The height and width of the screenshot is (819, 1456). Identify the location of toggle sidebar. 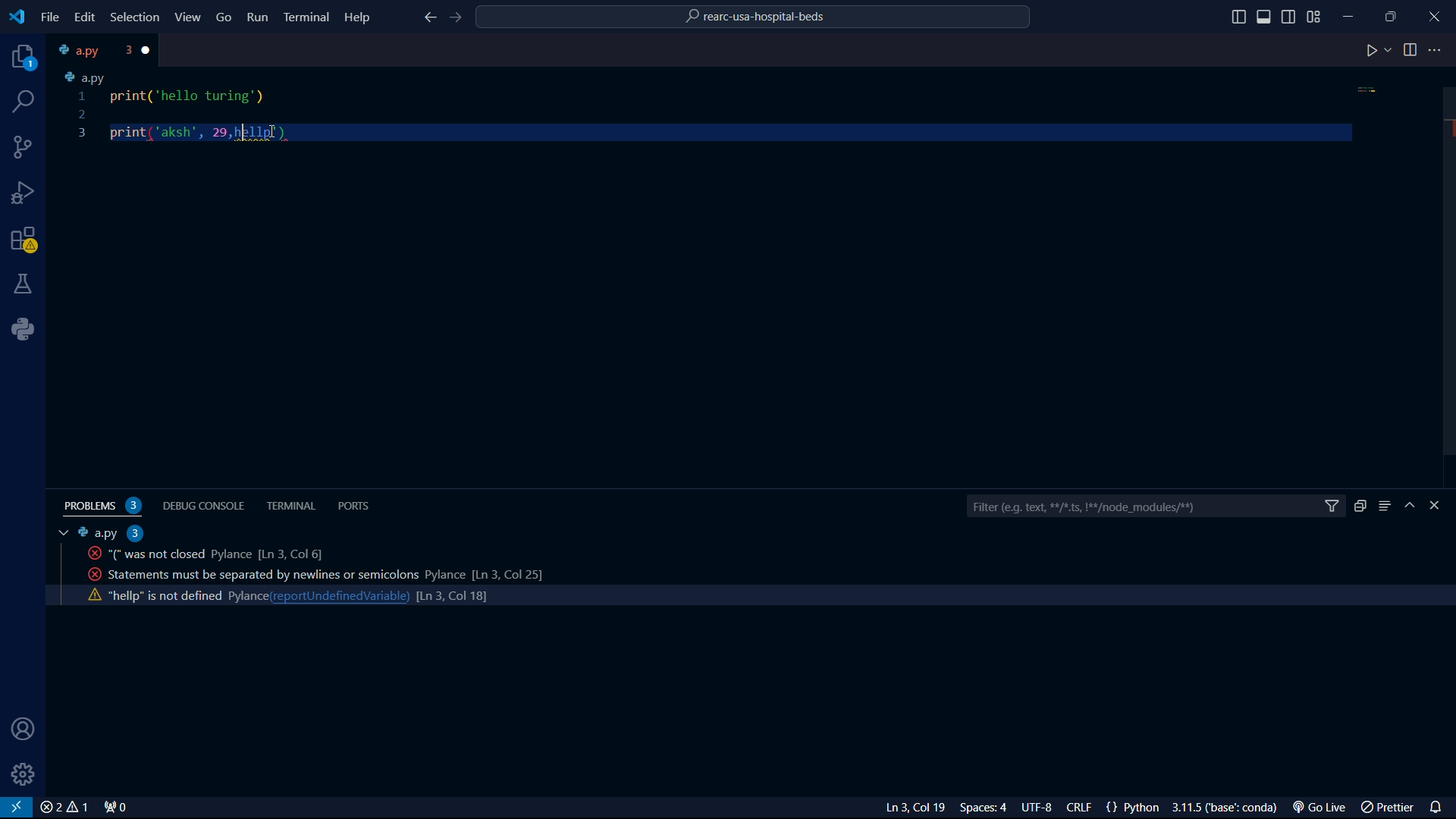
(1290, 15).